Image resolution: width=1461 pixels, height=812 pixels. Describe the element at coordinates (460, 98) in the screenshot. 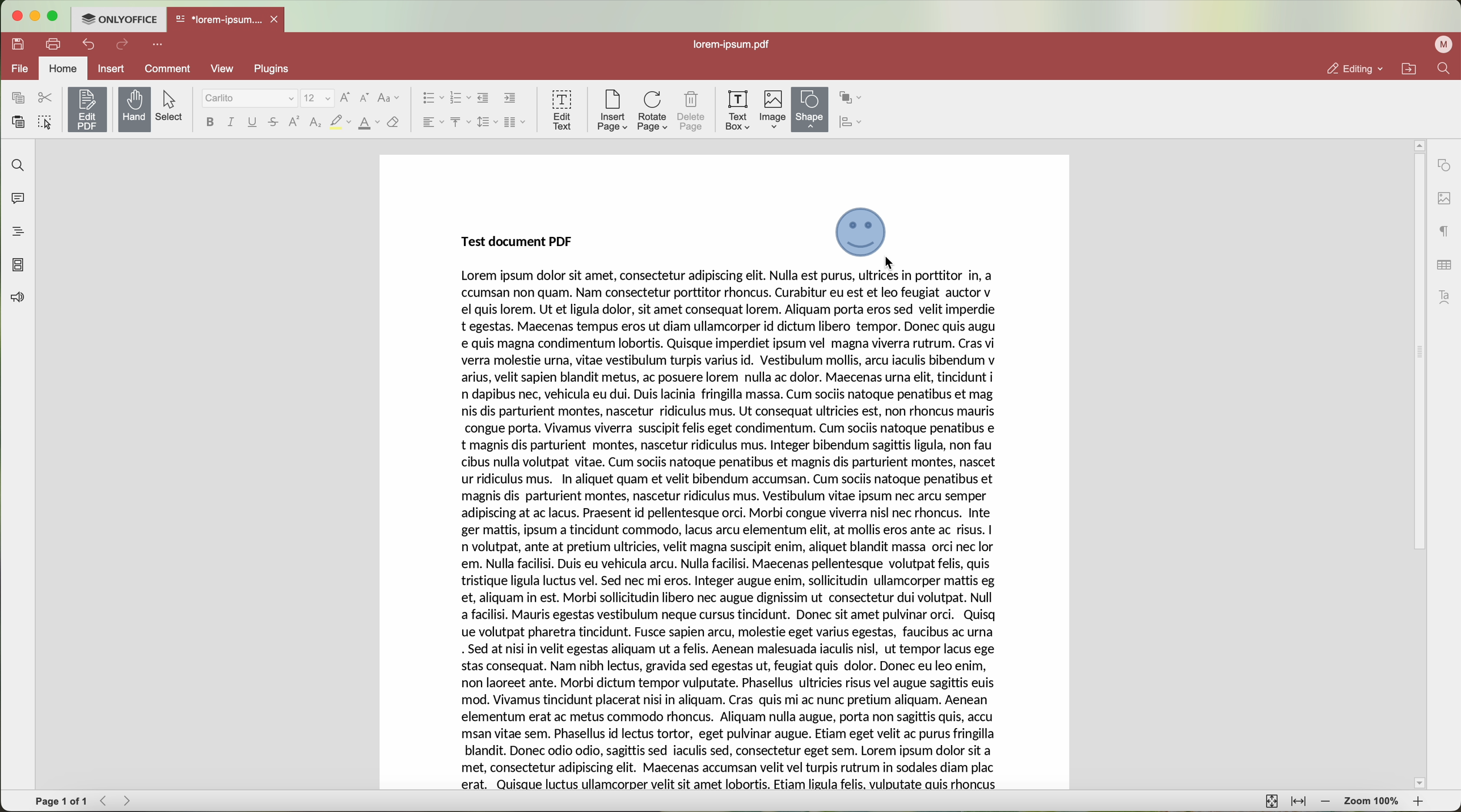

I see `numbered list` at that location.